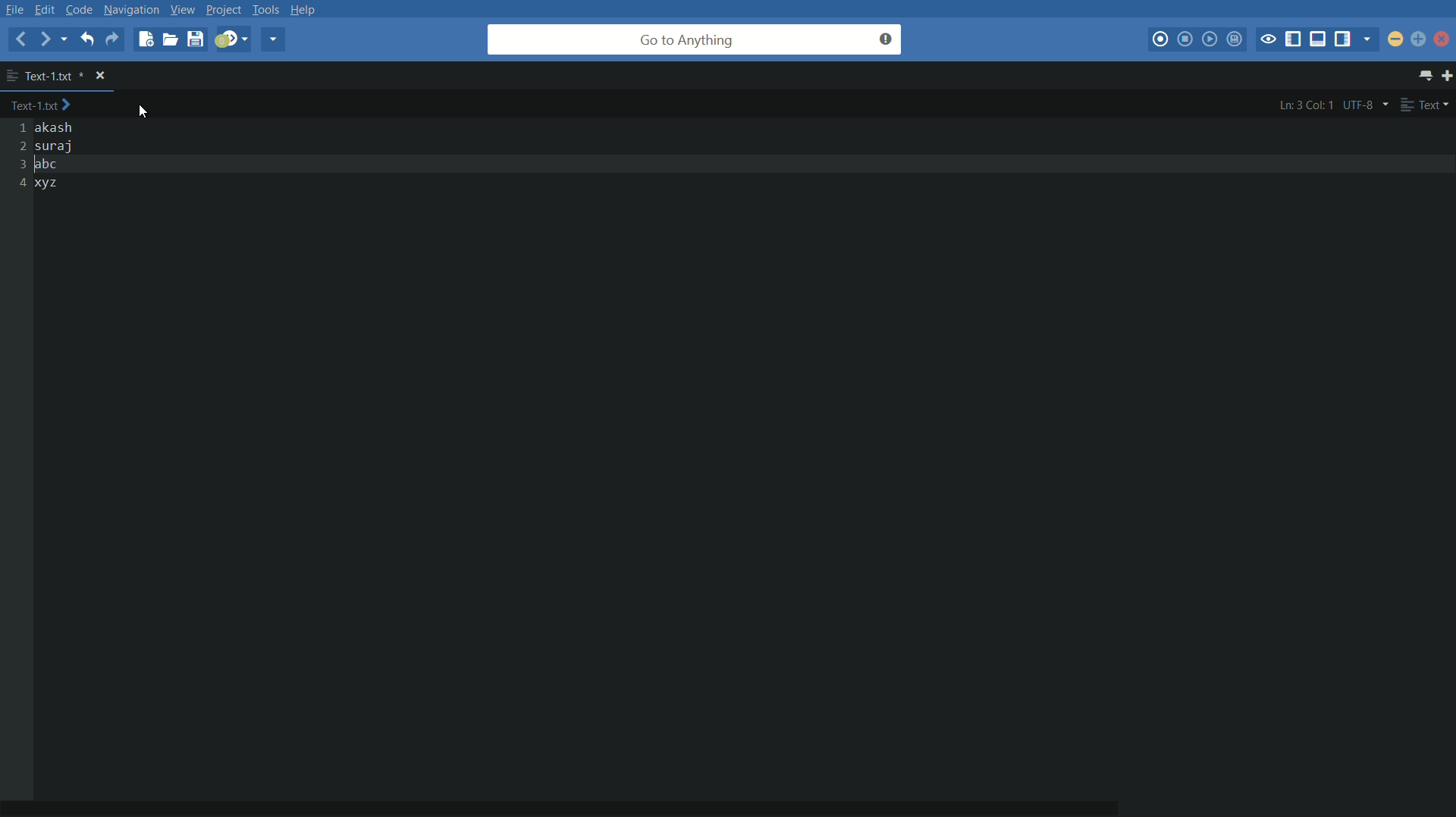  What do you see at coordinates (102, 76) in the screenshot?
I see `close file` at bounding box center [102, 76].